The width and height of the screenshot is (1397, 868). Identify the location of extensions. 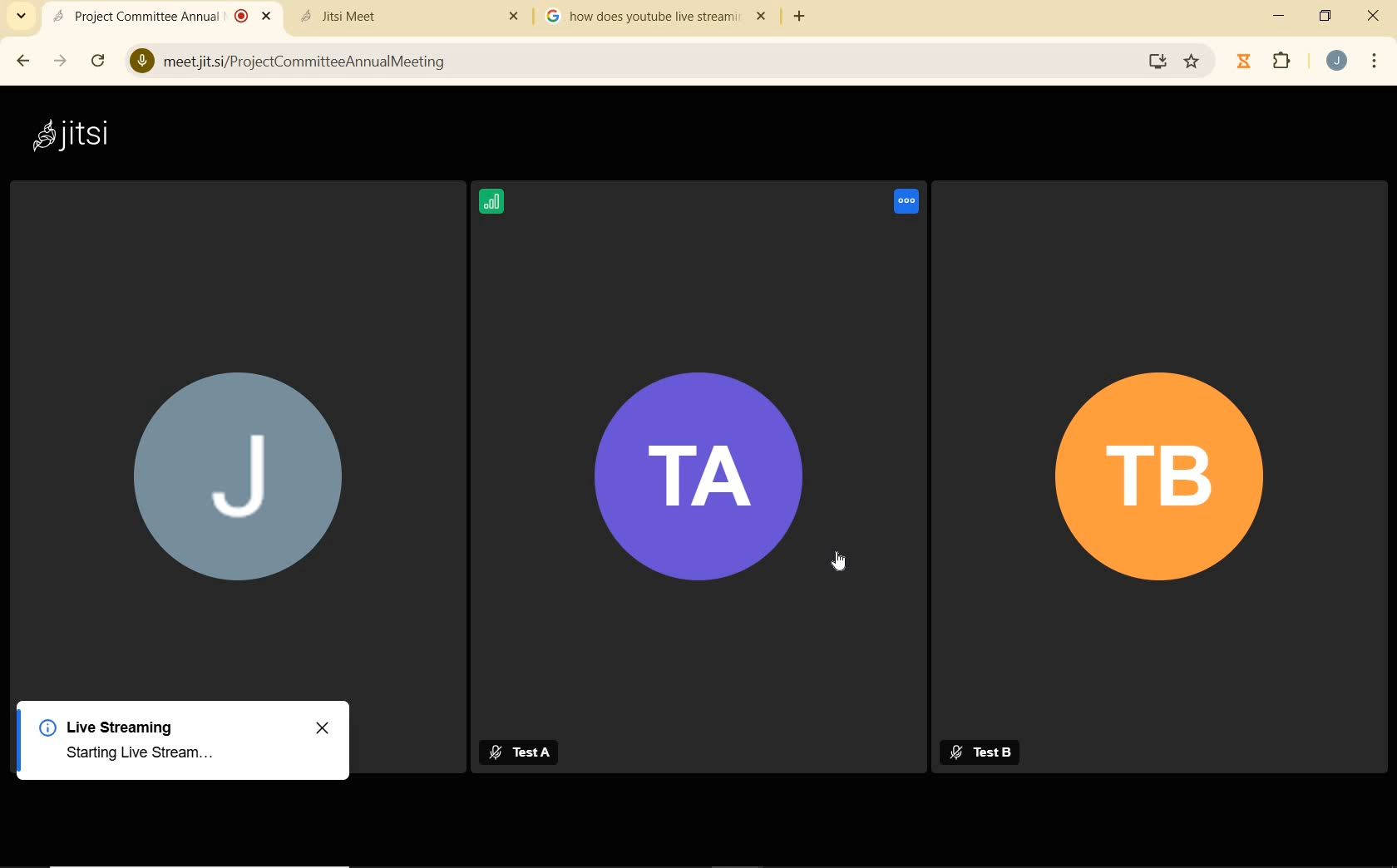
(1286, 63).